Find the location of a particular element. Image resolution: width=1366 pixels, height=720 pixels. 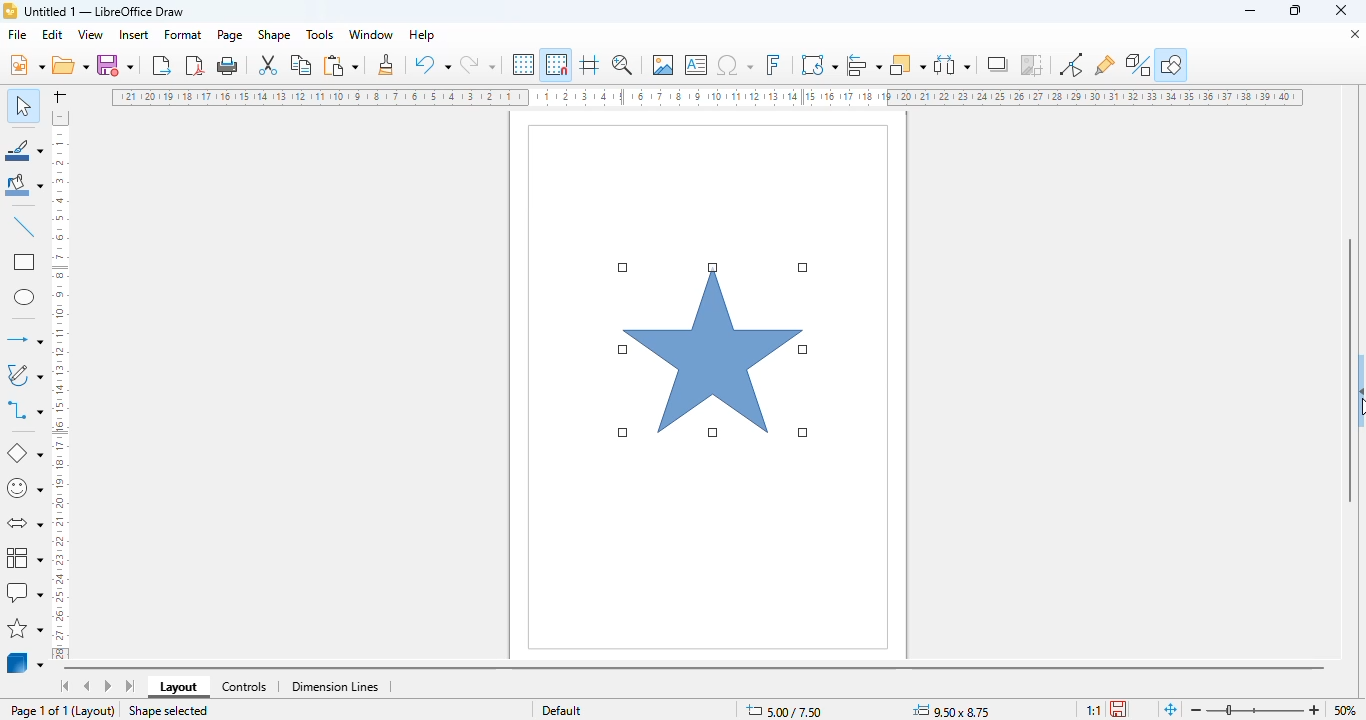

connector is located at coordinates (24, 412).